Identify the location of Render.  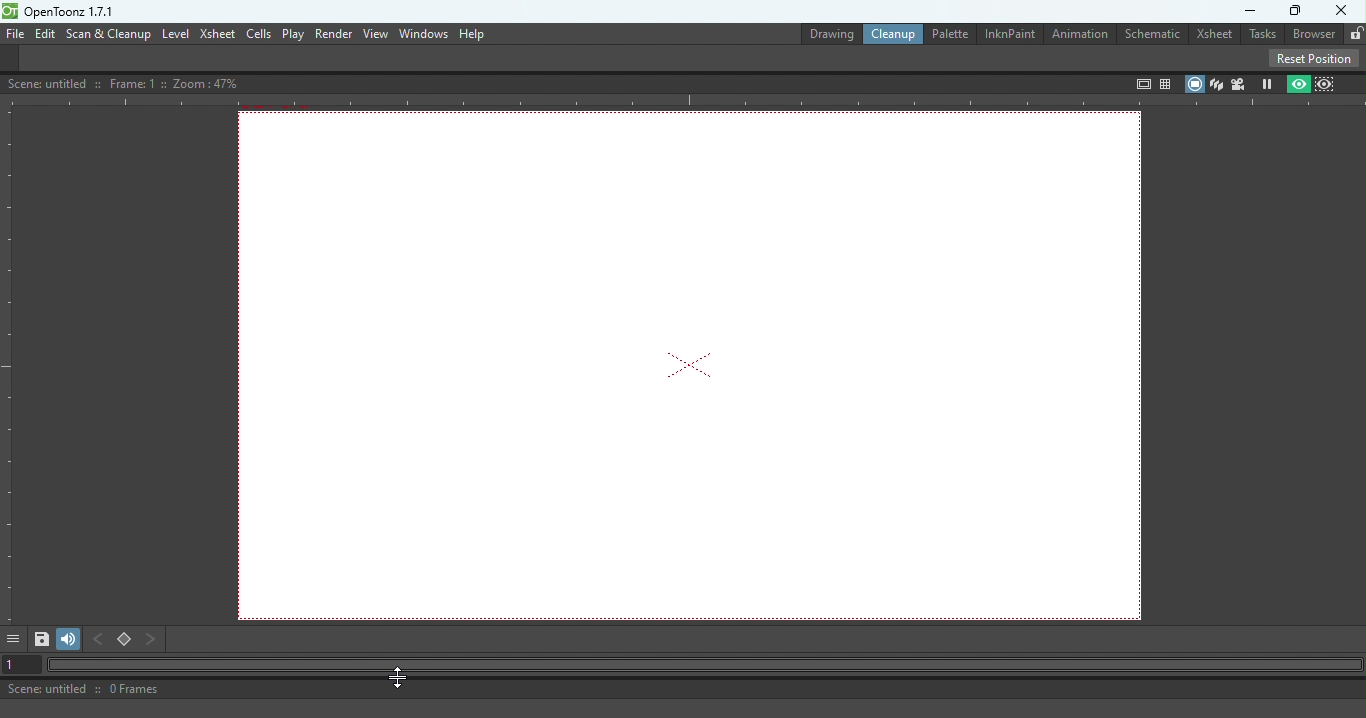
(331, 33).